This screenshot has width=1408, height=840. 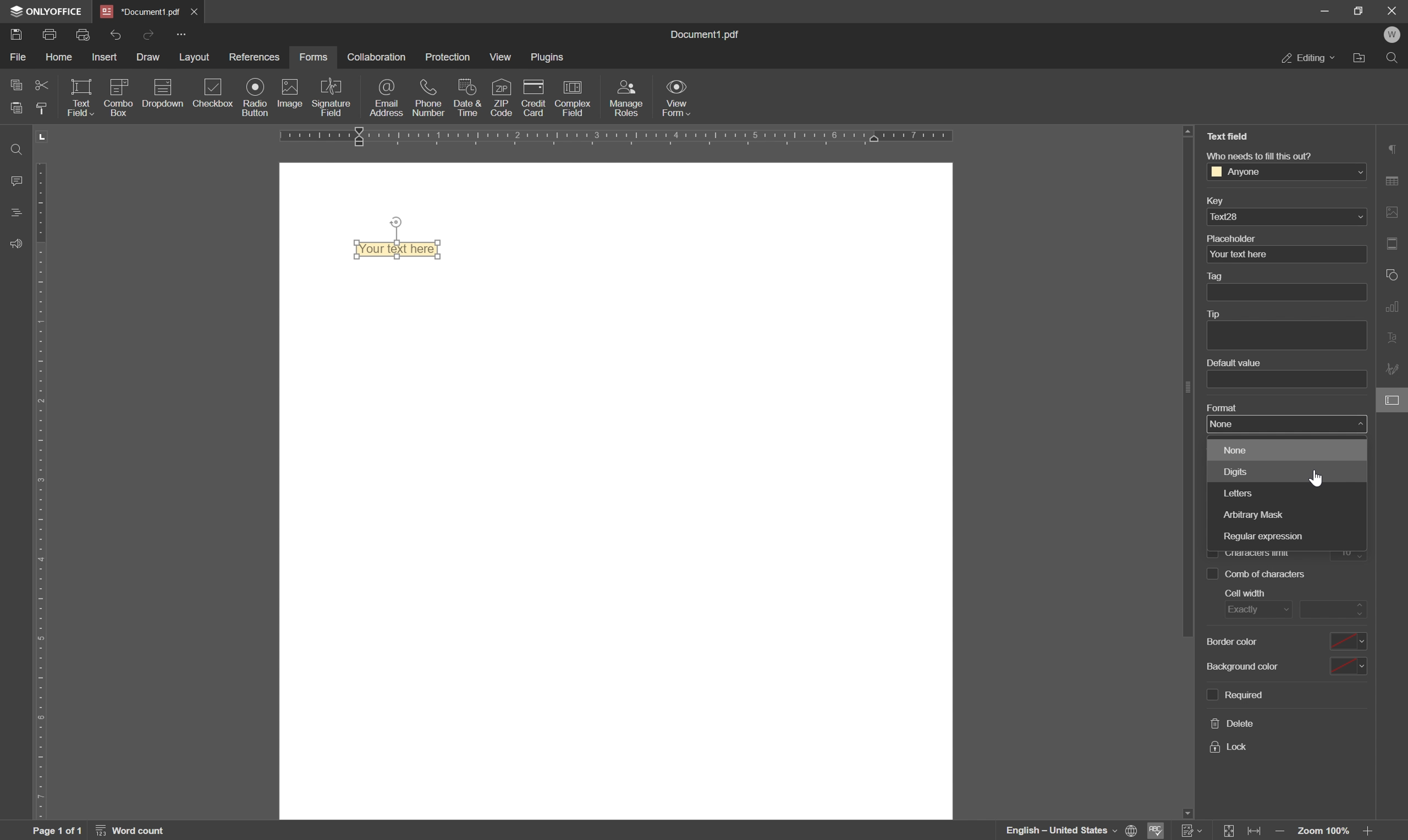 I want to click on drop down, so click(x=1347, y=666).